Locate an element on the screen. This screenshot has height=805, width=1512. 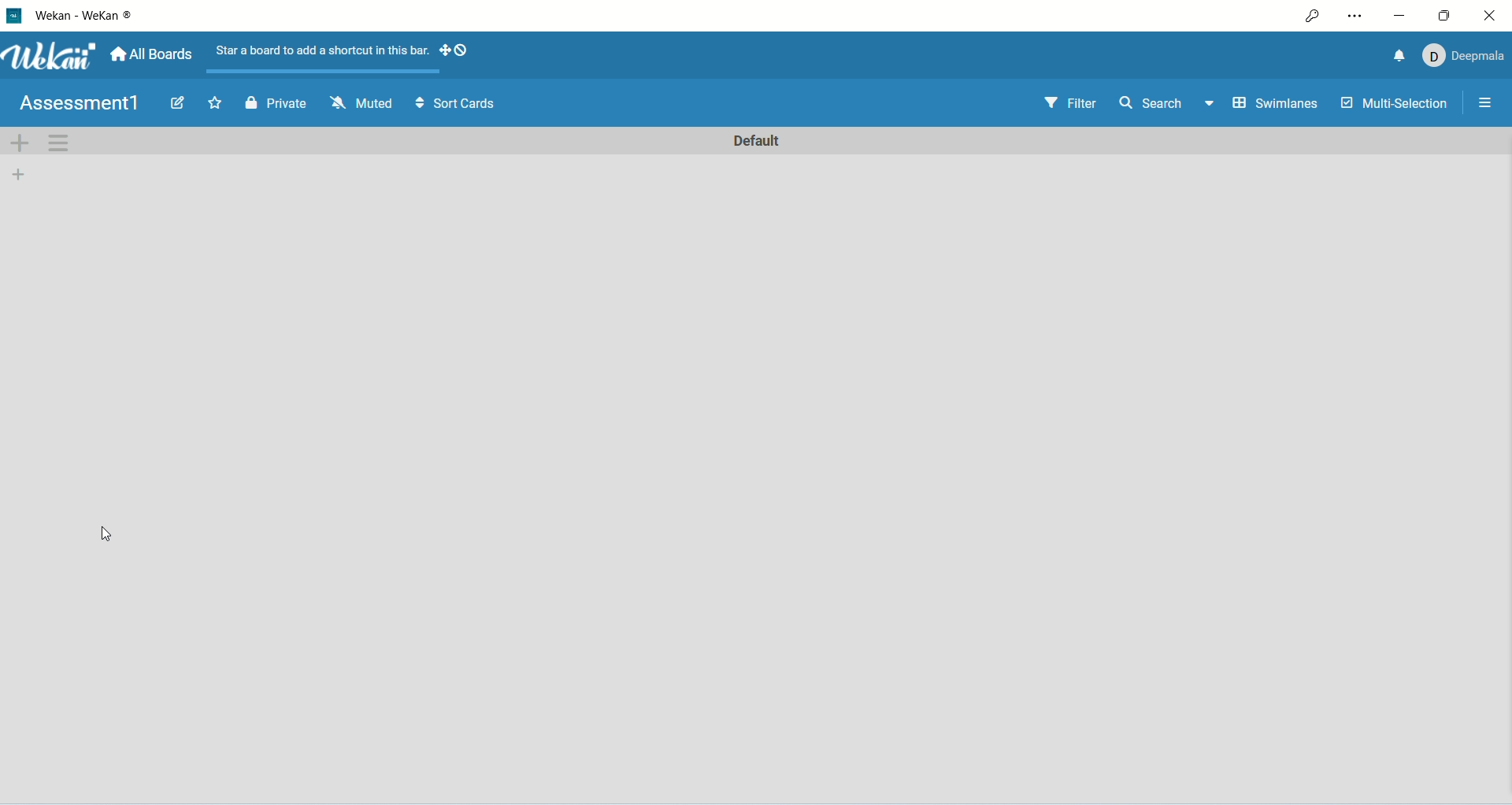
star board is located at coordinates (211, 103).